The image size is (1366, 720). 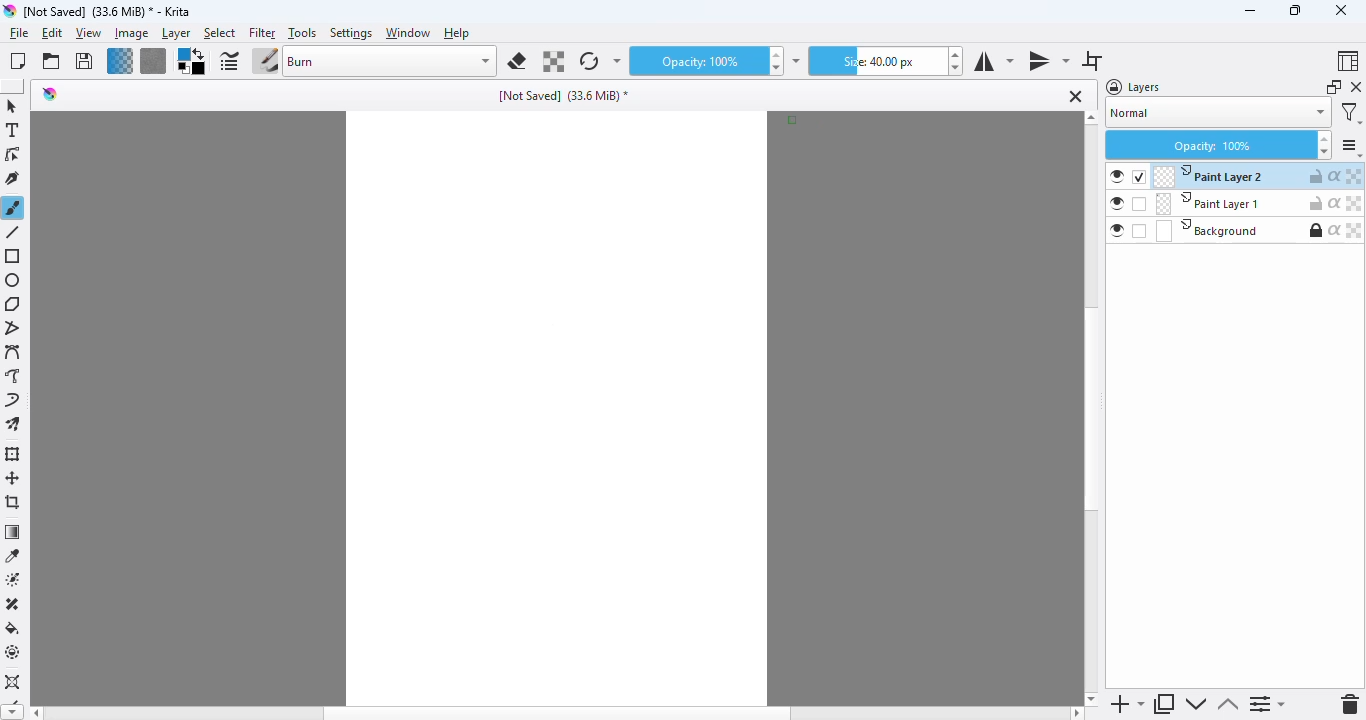 What do you see at coordinates (13, 280) in the screenshot?
I see `ellipse tool` at bounding box center [13, 280].